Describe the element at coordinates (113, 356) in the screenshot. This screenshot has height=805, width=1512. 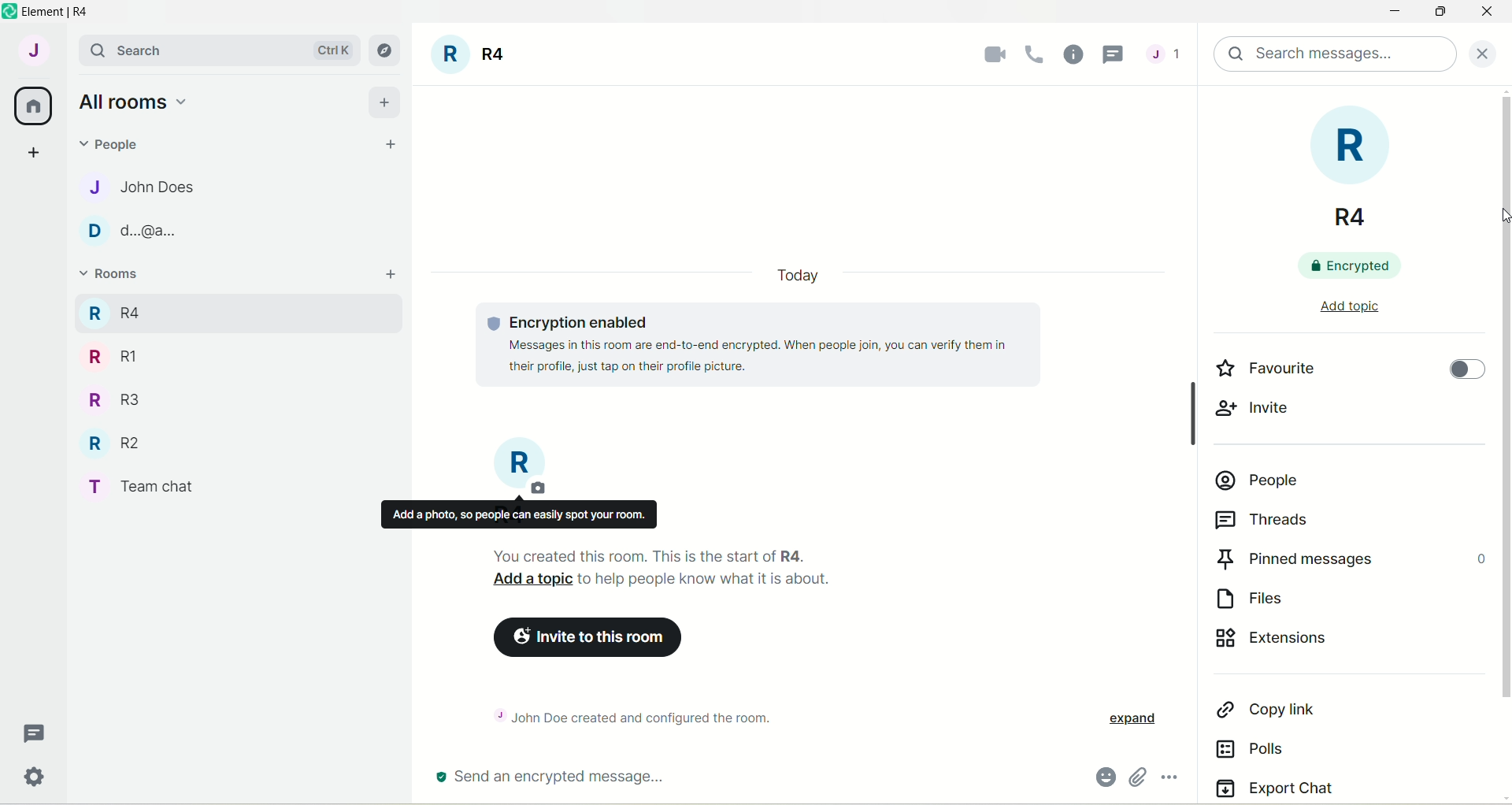
I see `R RI` at that location.